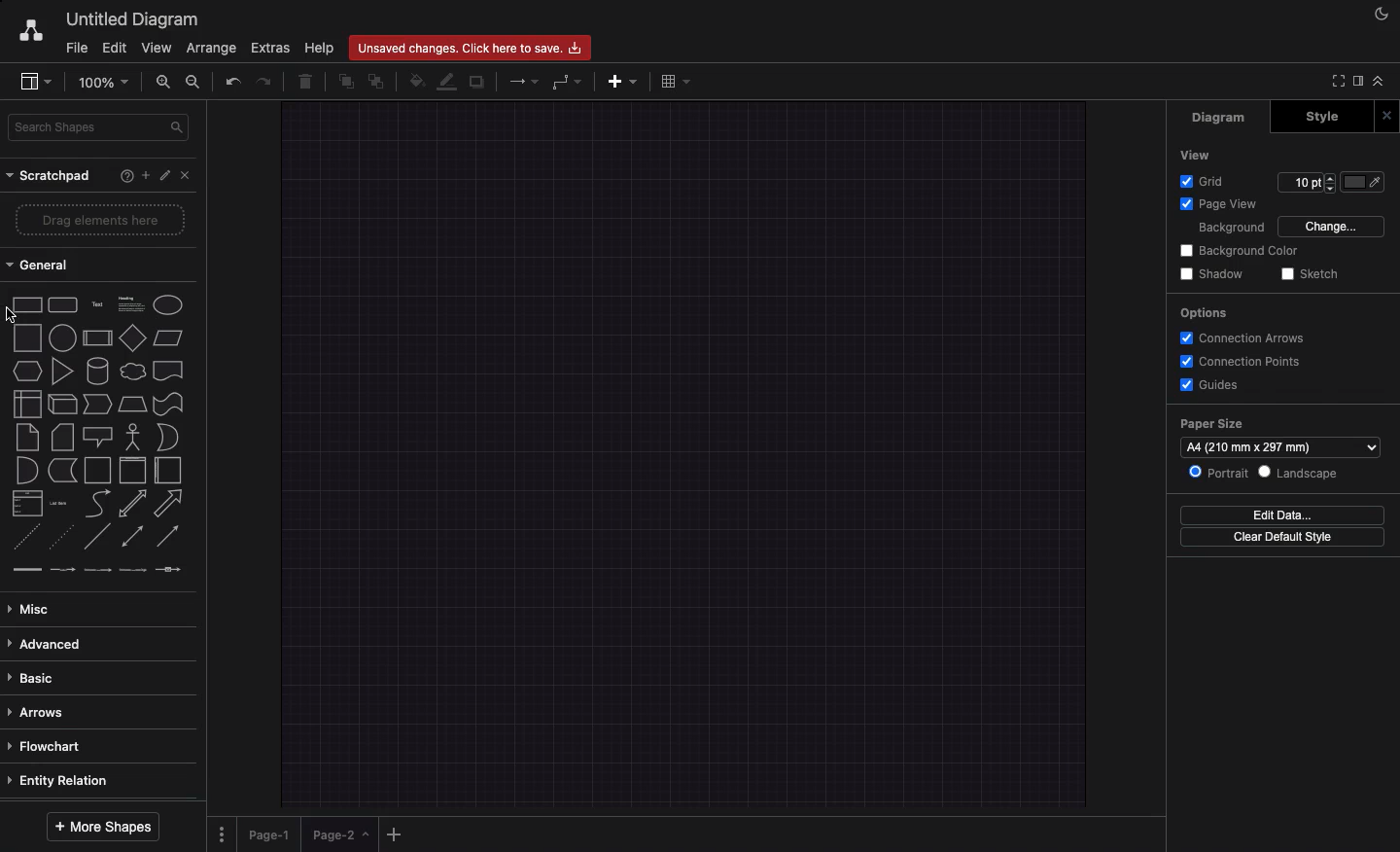  I want to click on circle, so click(61, 337).